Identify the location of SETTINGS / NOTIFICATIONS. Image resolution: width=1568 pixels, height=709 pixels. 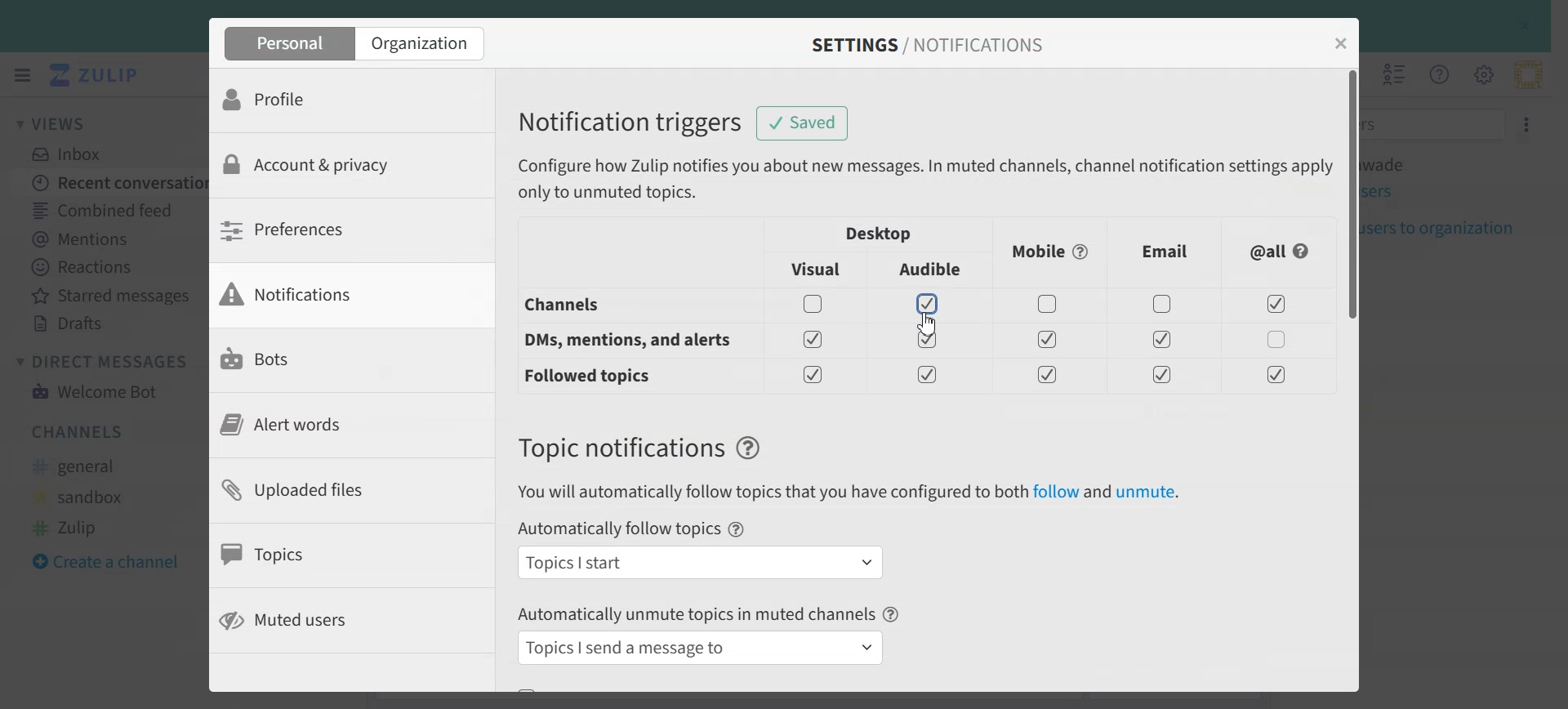
(925, 45).